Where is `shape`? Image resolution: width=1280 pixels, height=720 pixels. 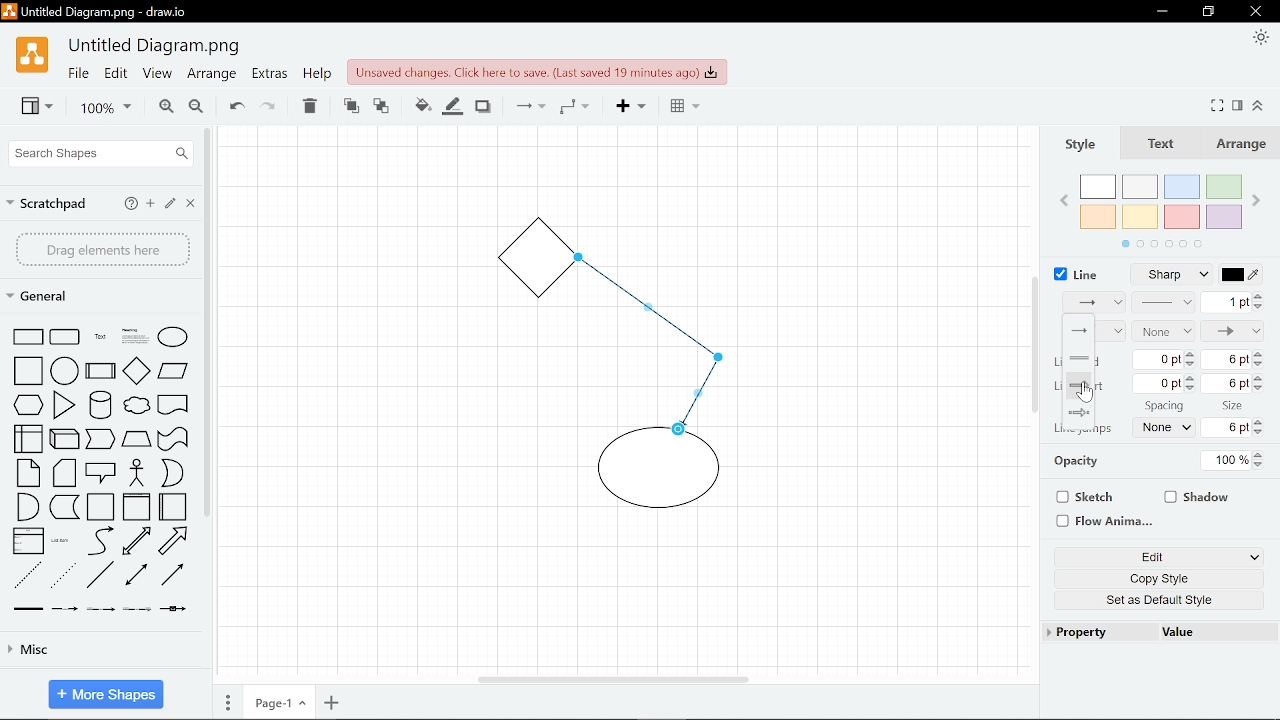 shape is located at coordinates (24, 371).